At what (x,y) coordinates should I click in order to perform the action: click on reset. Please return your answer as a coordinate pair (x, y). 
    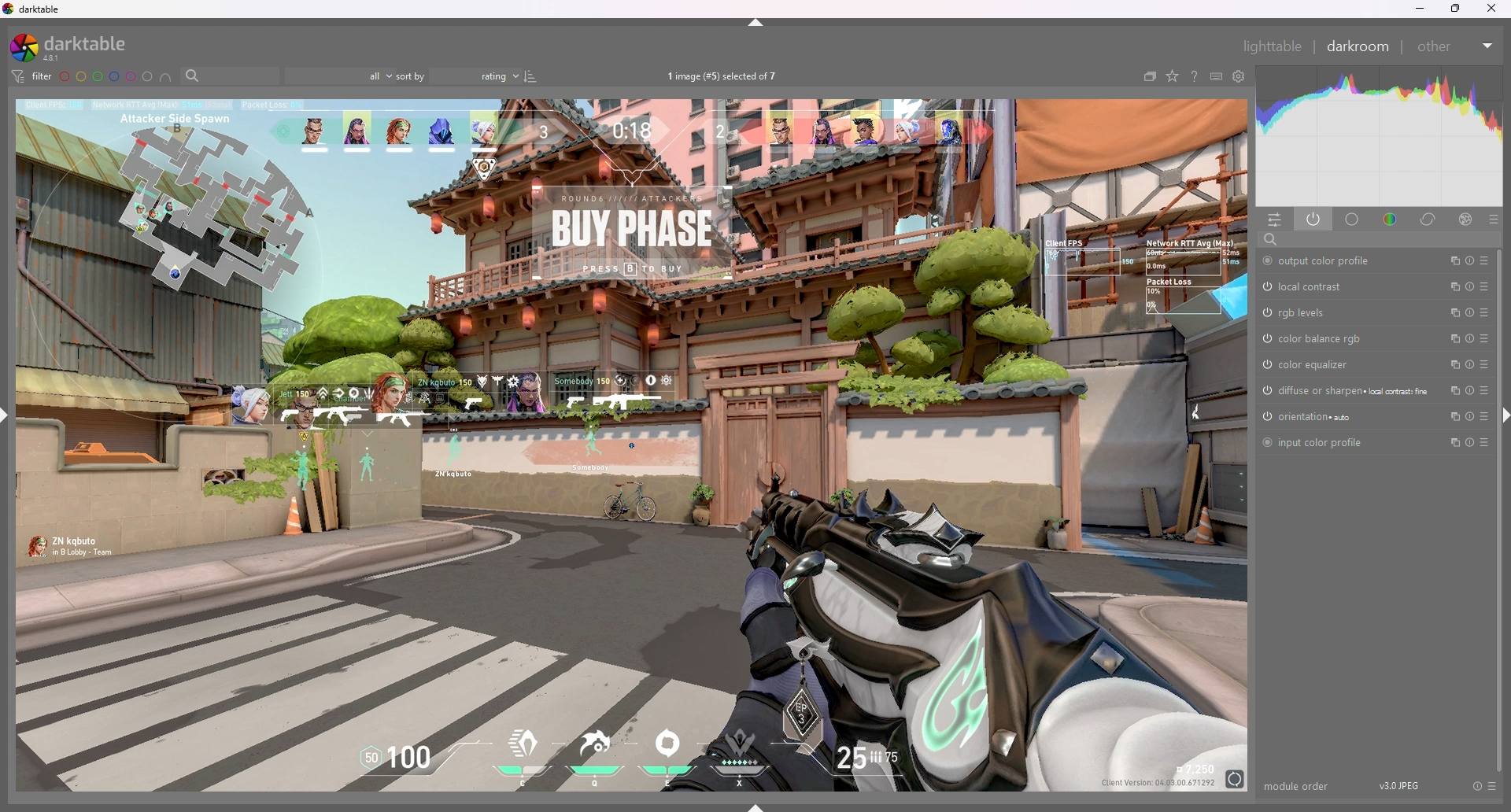
    Looking at the image, I should click on (1470, 315).